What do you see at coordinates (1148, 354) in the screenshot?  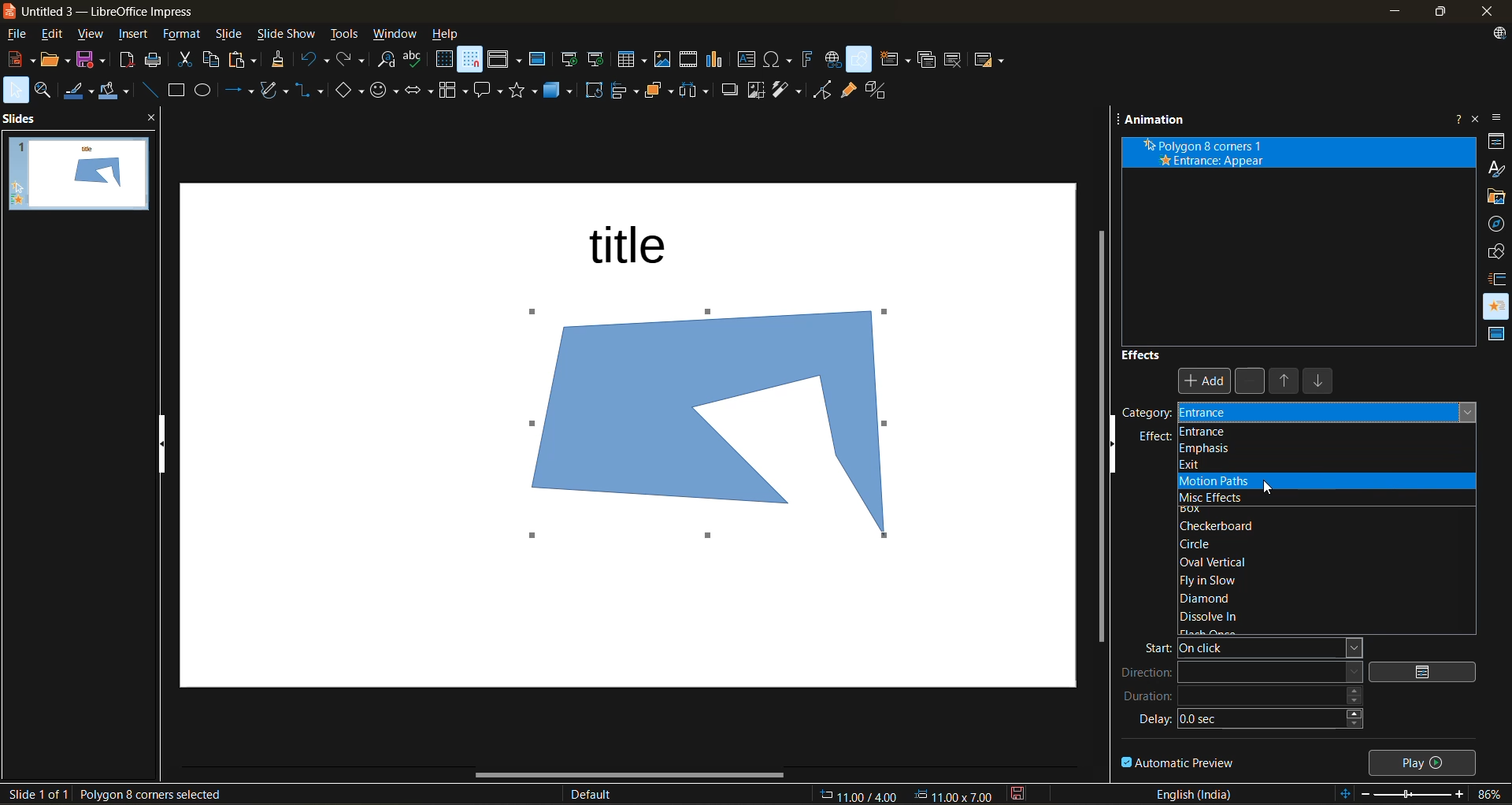 I see `effects` at bounding box center [1148, 354].